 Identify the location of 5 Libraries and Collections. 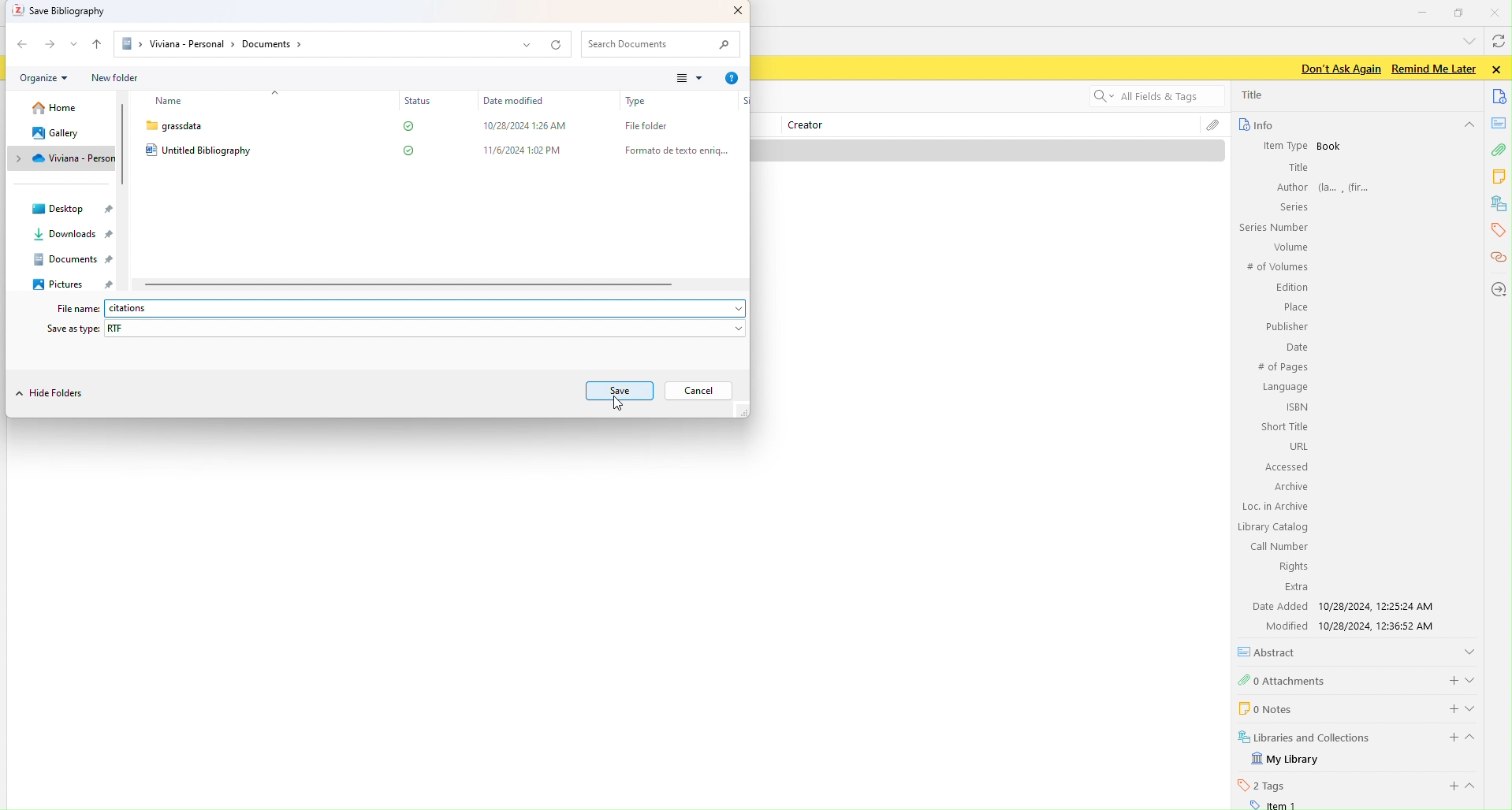
(1305, 736).